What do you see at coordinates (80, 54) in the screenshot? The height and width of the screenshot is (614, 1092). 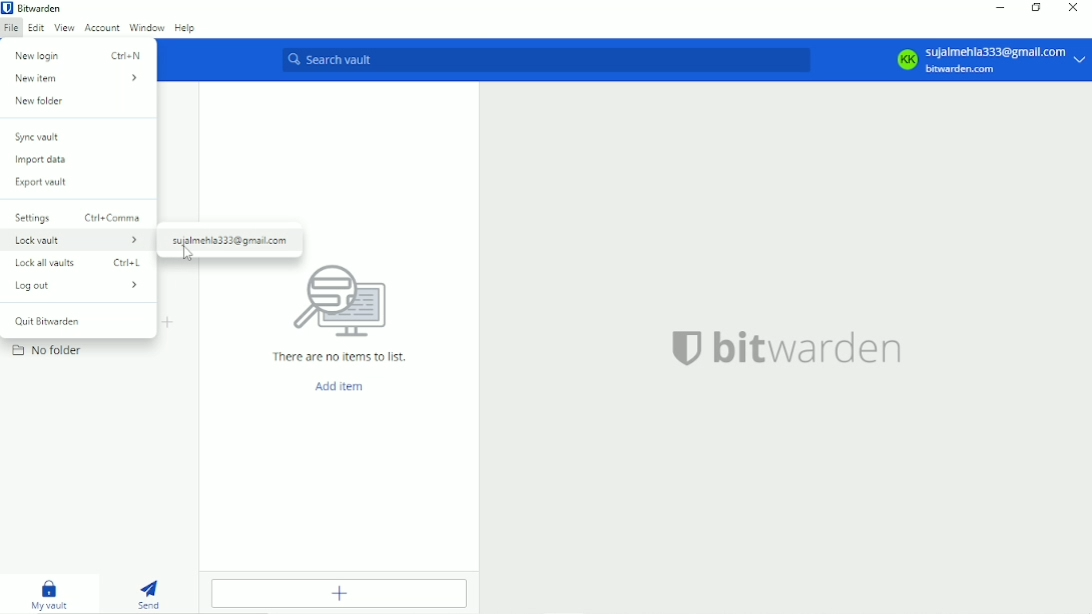 I see `New login   ctrl+N` at bounding box center [80, 54].